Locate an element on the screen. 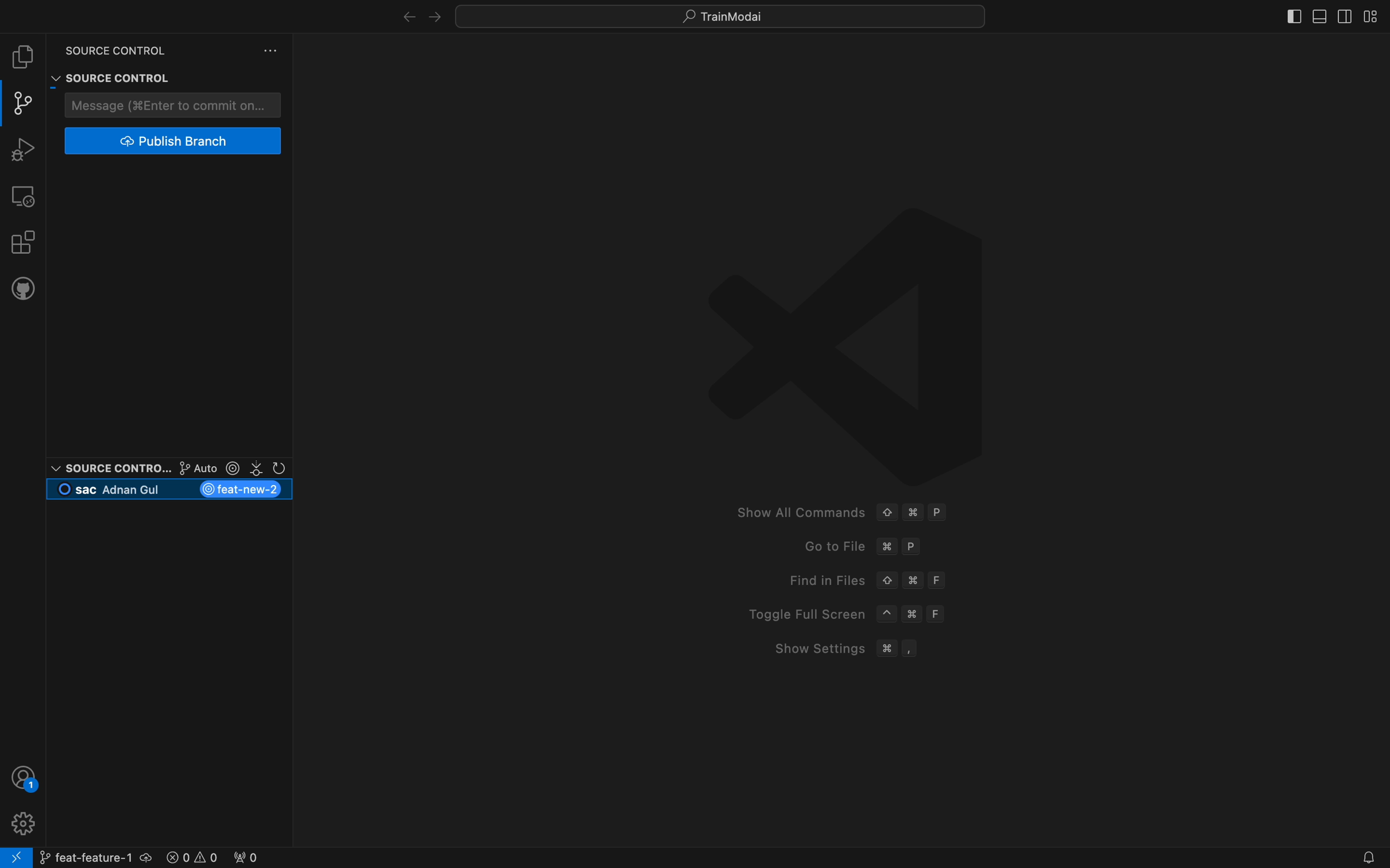  Source control is located at coordinates (107, 67).